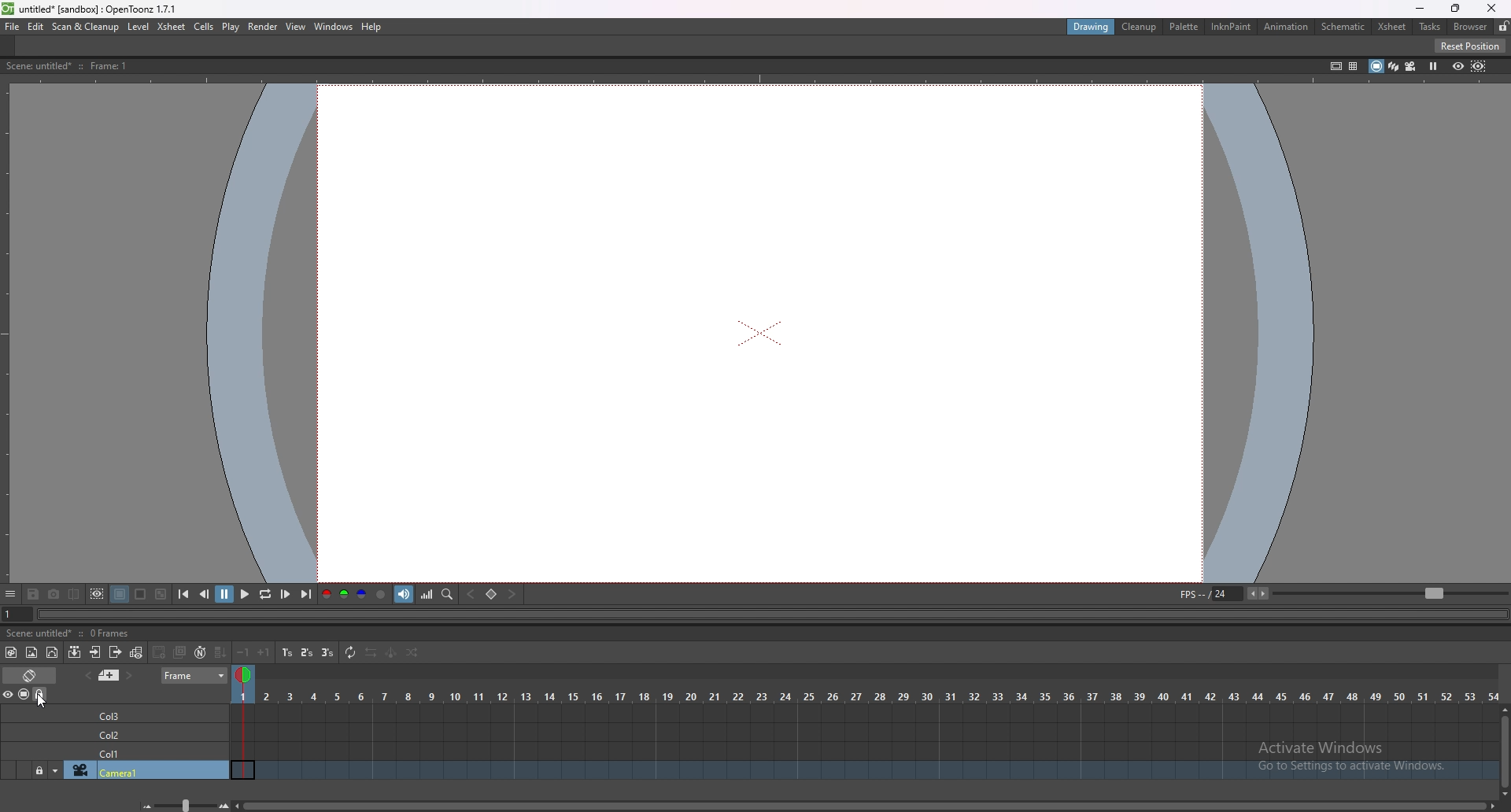 The height and width of the screenshot is (812, 1511). What do you see at coordinates (1287, 28) in the screenshot?
I see `animation` at bounding box center [1287, 28].